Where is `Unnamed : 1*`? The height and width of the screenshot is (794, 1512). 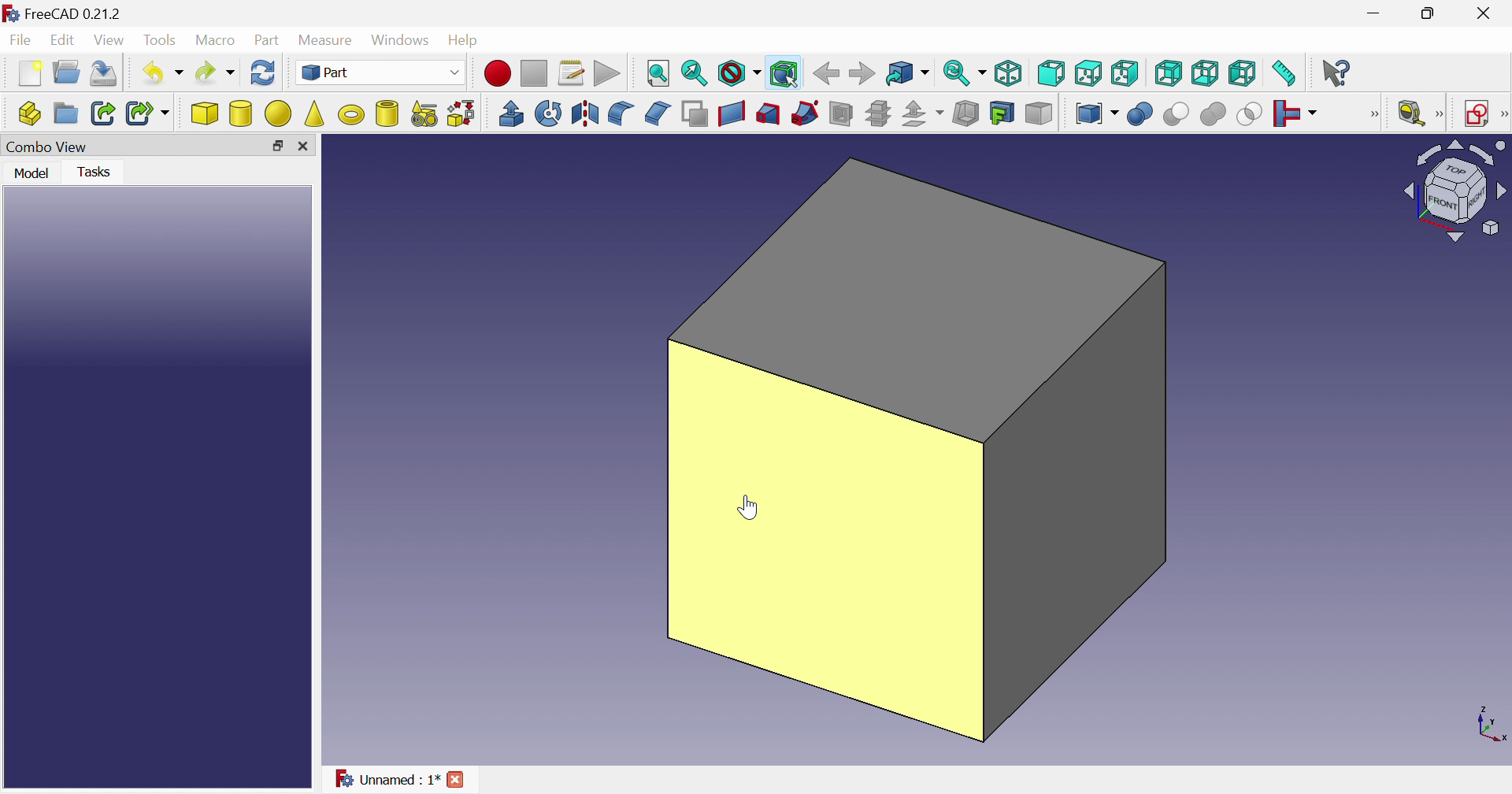 Unnamed : 1* is located at coordinates (387, 780).